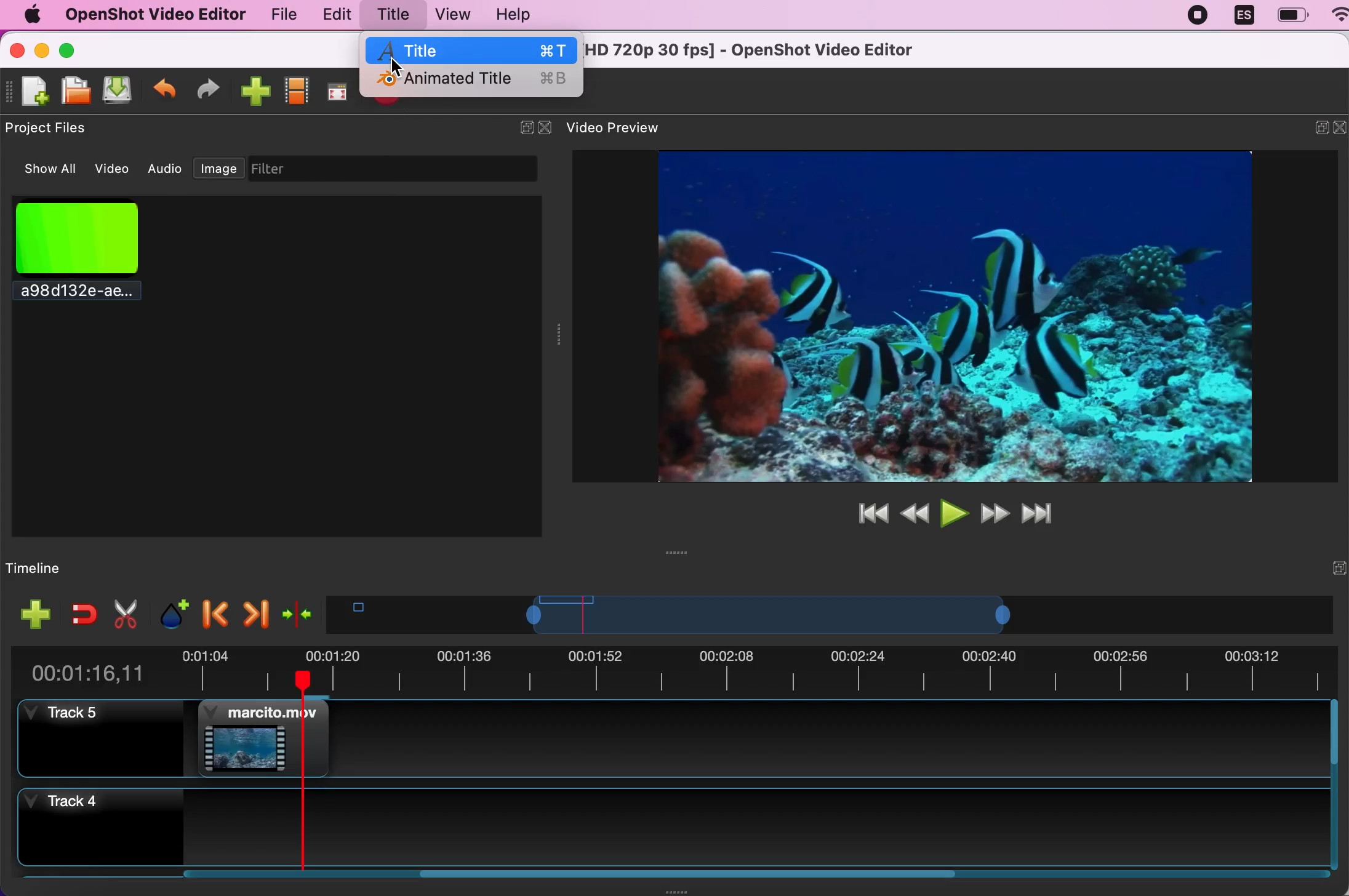 This screenshot has height=896, width=1349. Describe the element at coordinates (31, 14) in the screenshot. I see `mac logo` at that location.